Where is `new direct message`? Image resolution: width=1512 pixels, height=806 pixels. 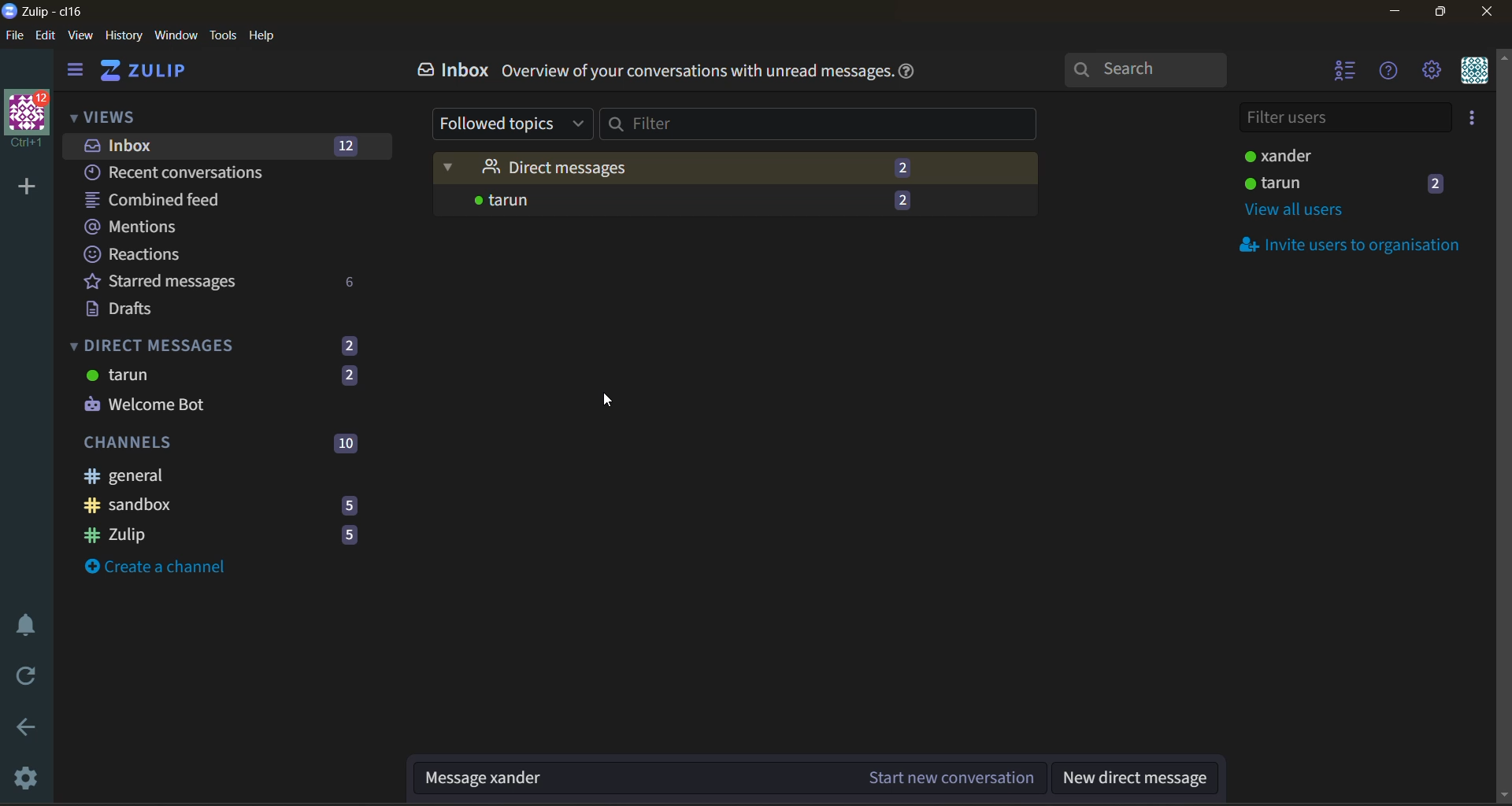
new direct message is located at coordinates (1136, 779).